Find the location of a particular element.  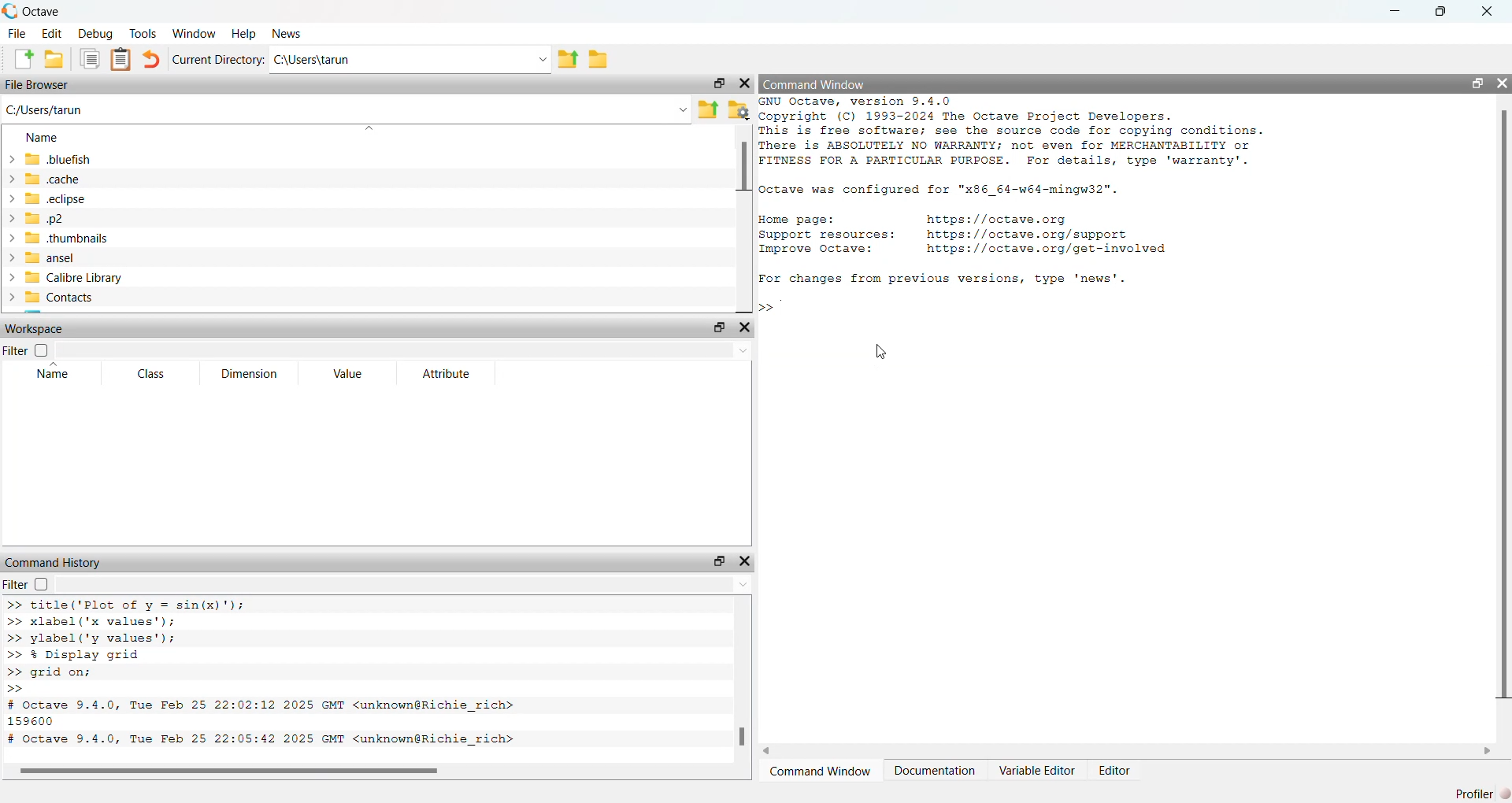

close is located at coordinates (746, 562).